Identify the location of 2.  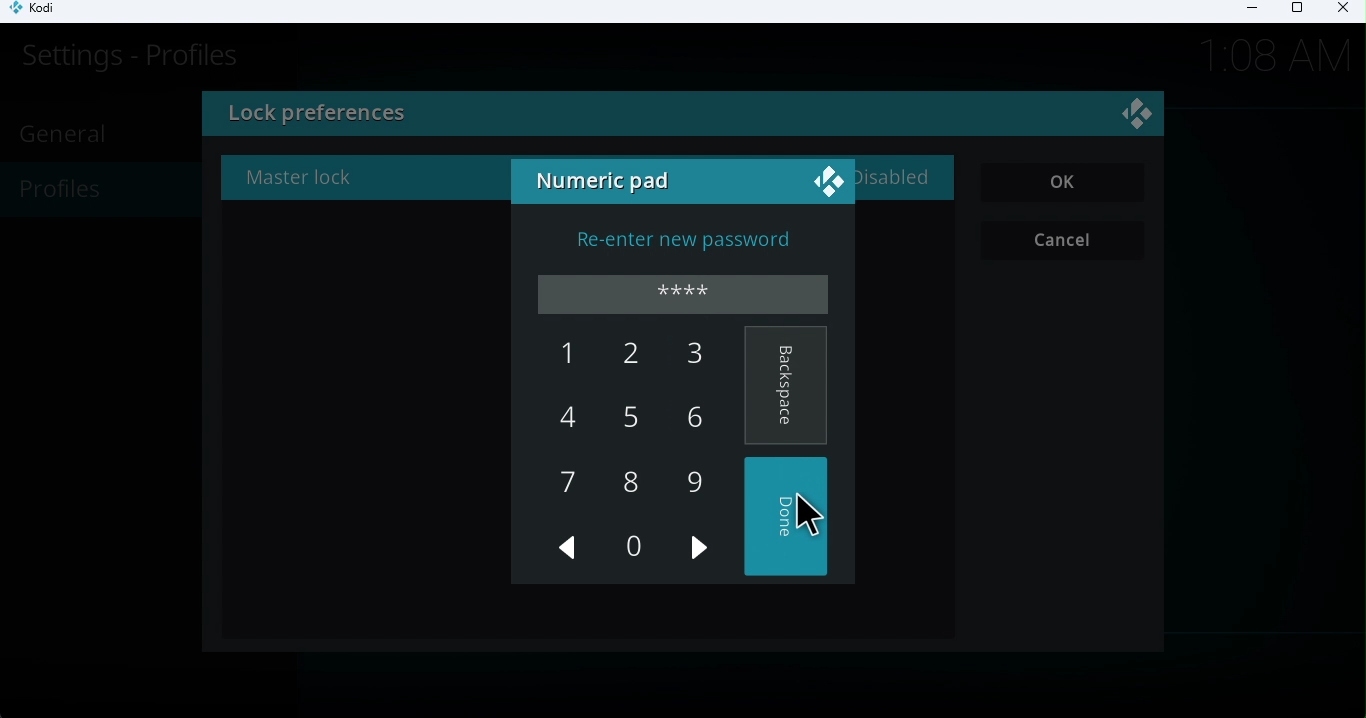
(629, 362).